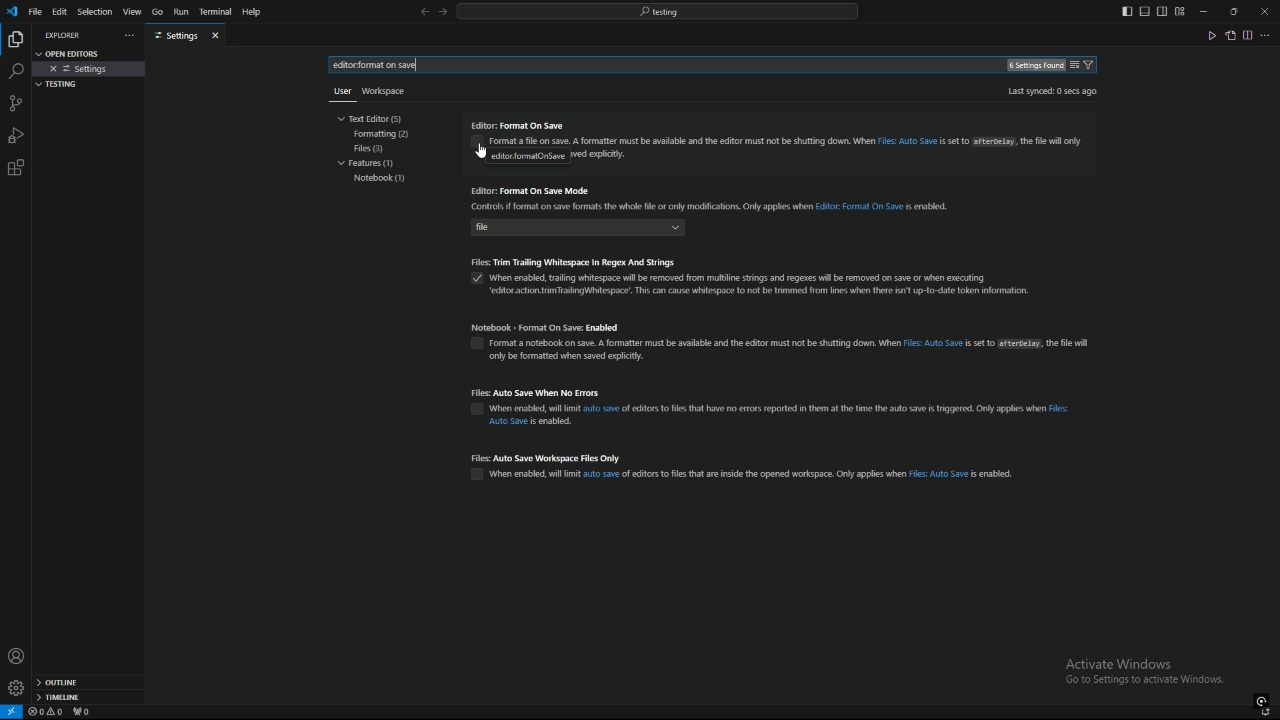 Image resolution: width=1280 pixels, height=720 pixels. Describe the element at coordinates (380, 179) in the screenshot. I see `notebook` at that location.